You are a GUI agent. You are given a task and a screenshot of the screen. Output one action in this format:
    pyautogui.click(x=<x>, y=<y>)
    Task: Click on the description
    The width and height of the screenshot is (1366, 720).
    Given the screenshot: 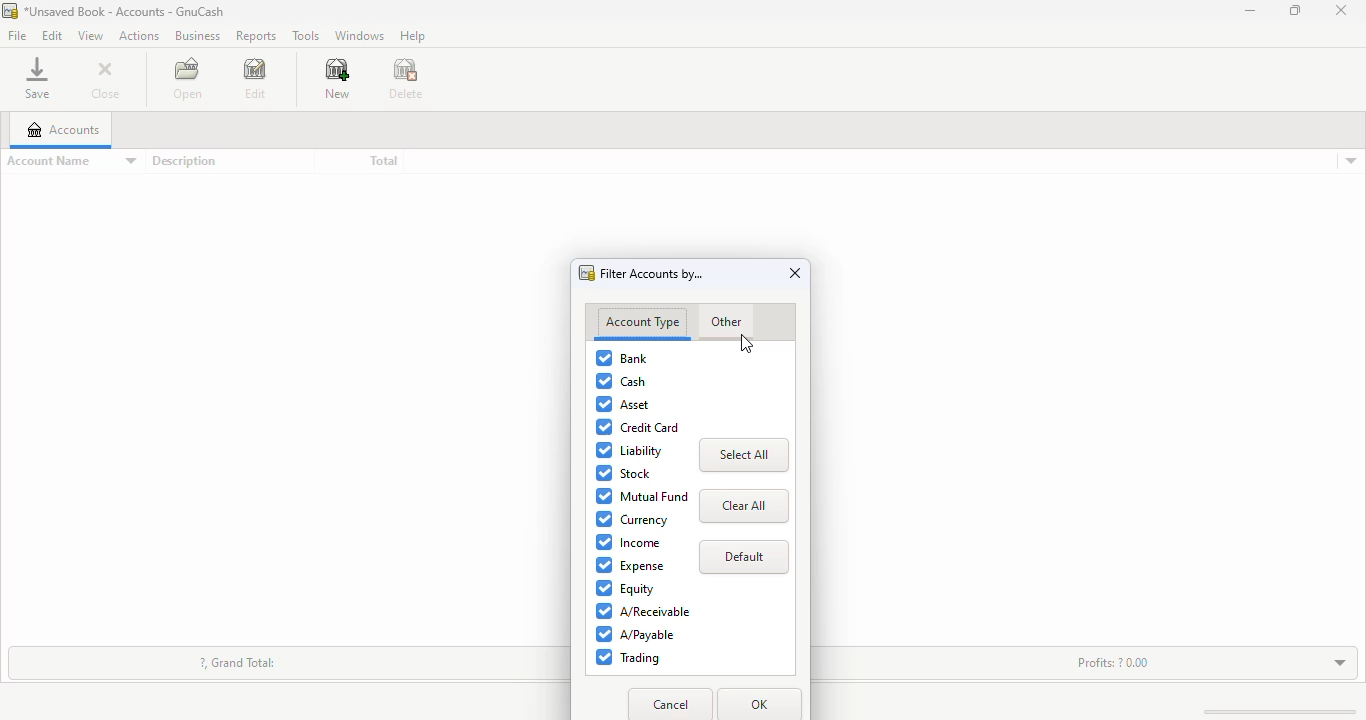 What is the action you would take?
    pyautogui.click(x=183, y=161)
    